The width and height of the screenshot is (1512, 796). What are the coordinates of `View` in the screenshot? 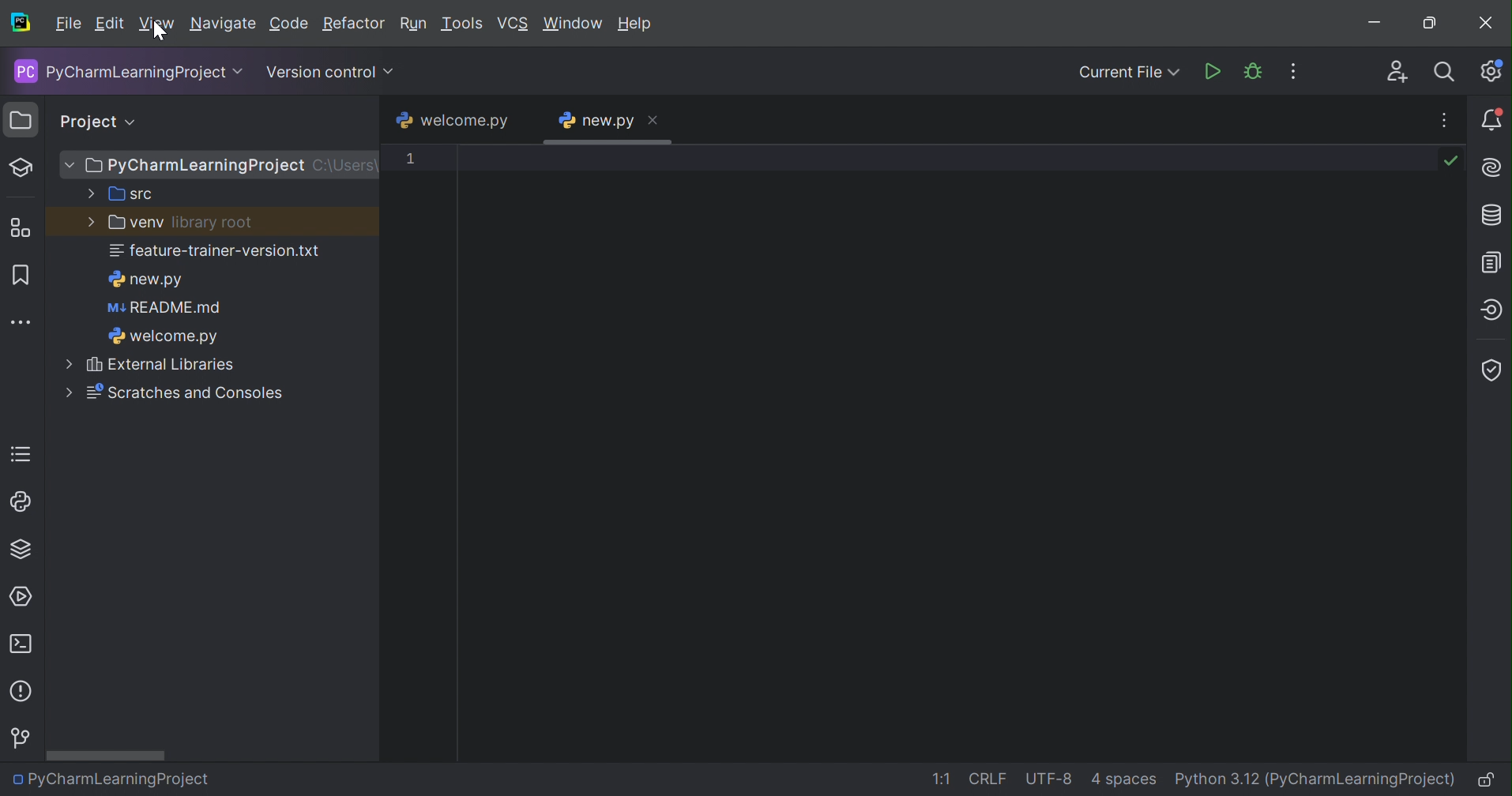 It's located at (157, 24).